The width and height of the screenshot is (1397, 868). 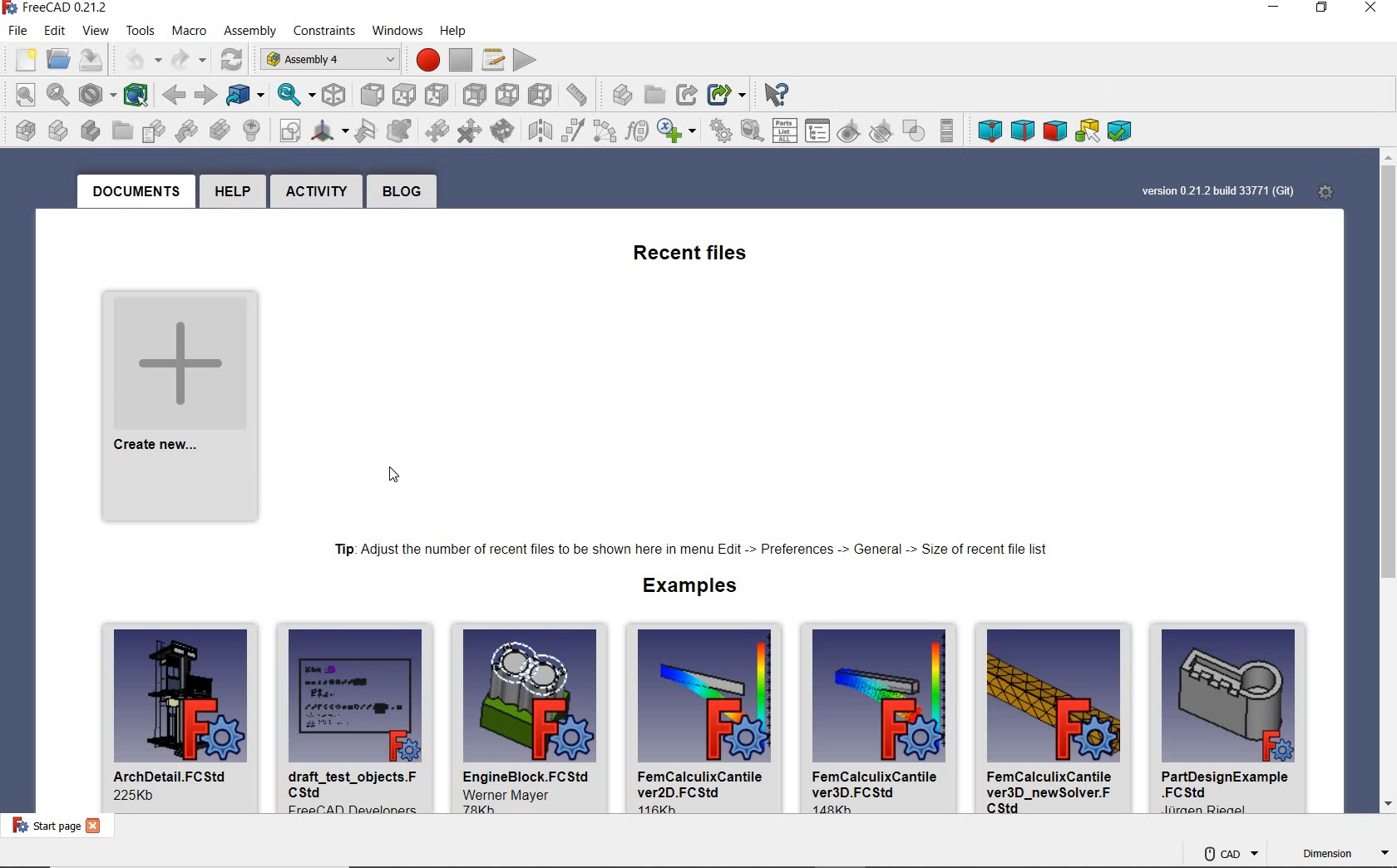 I want to click on animate assembly, so click(x=722, y=131).